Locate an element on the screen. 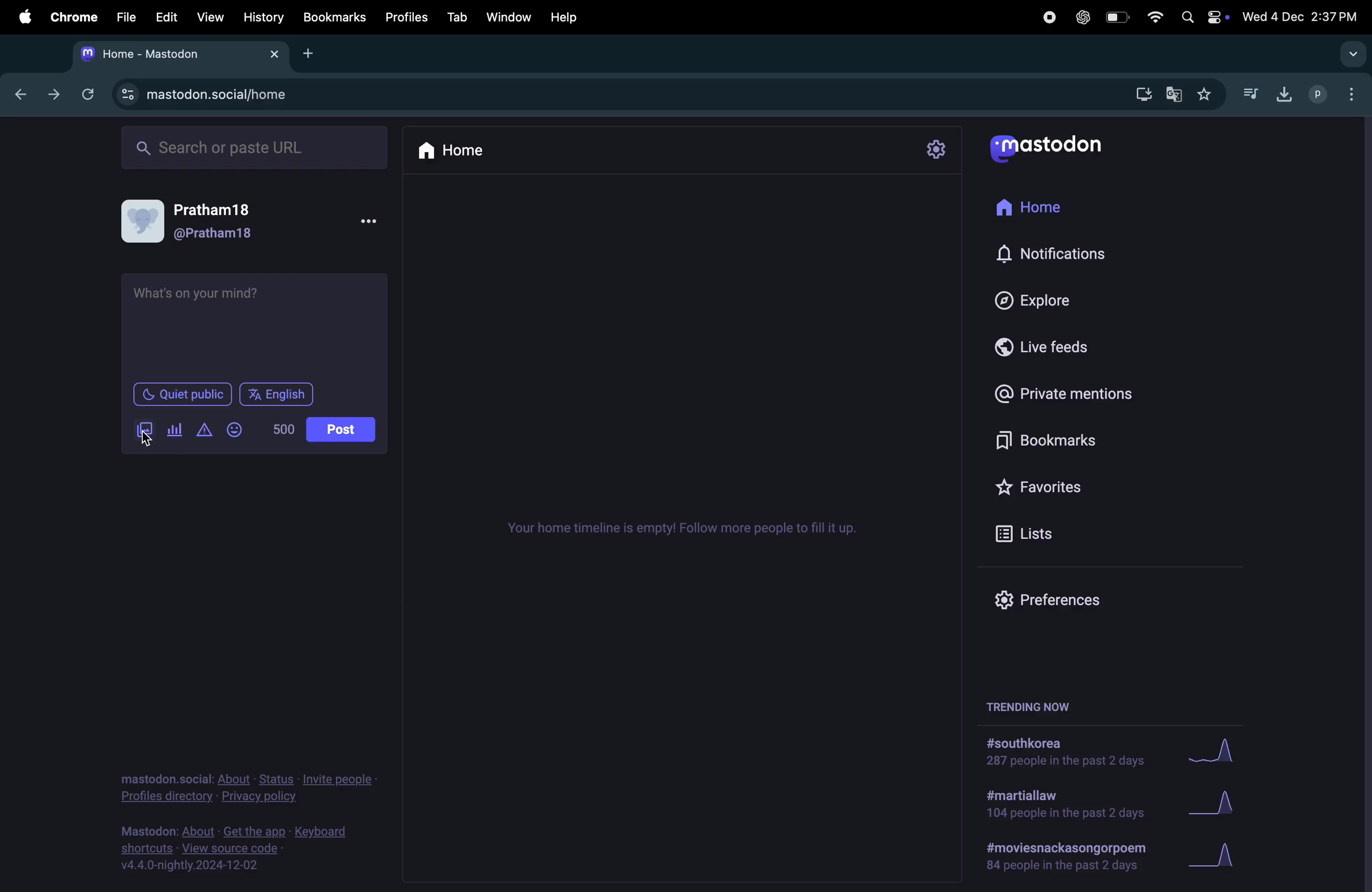  battery is located at coordinates (1115, 18).